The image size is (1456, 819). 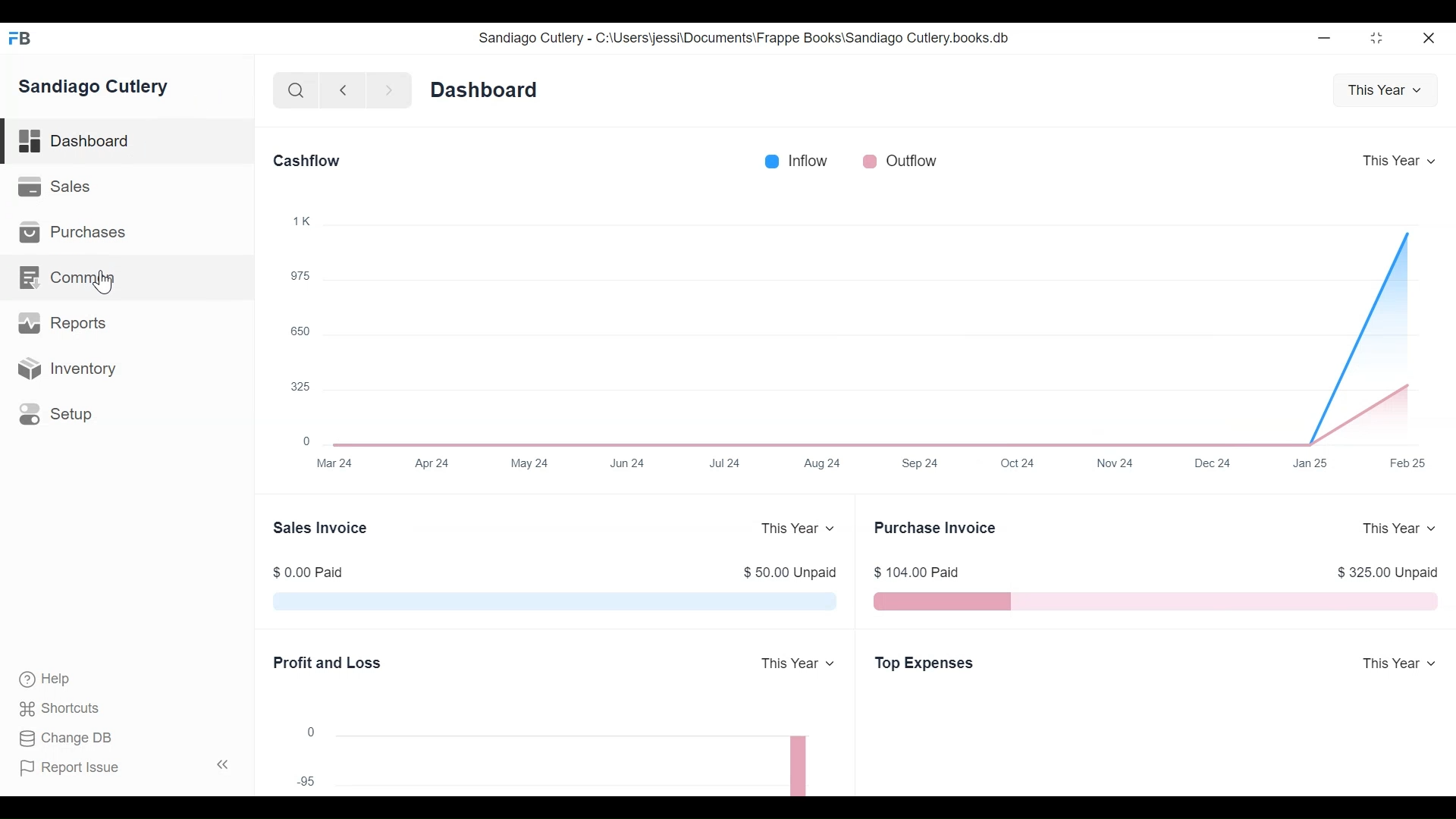 What do you see at coordinates (773, 162) in the screenshot?
I see `Inflow color bar` at bounding box center [773, 162].